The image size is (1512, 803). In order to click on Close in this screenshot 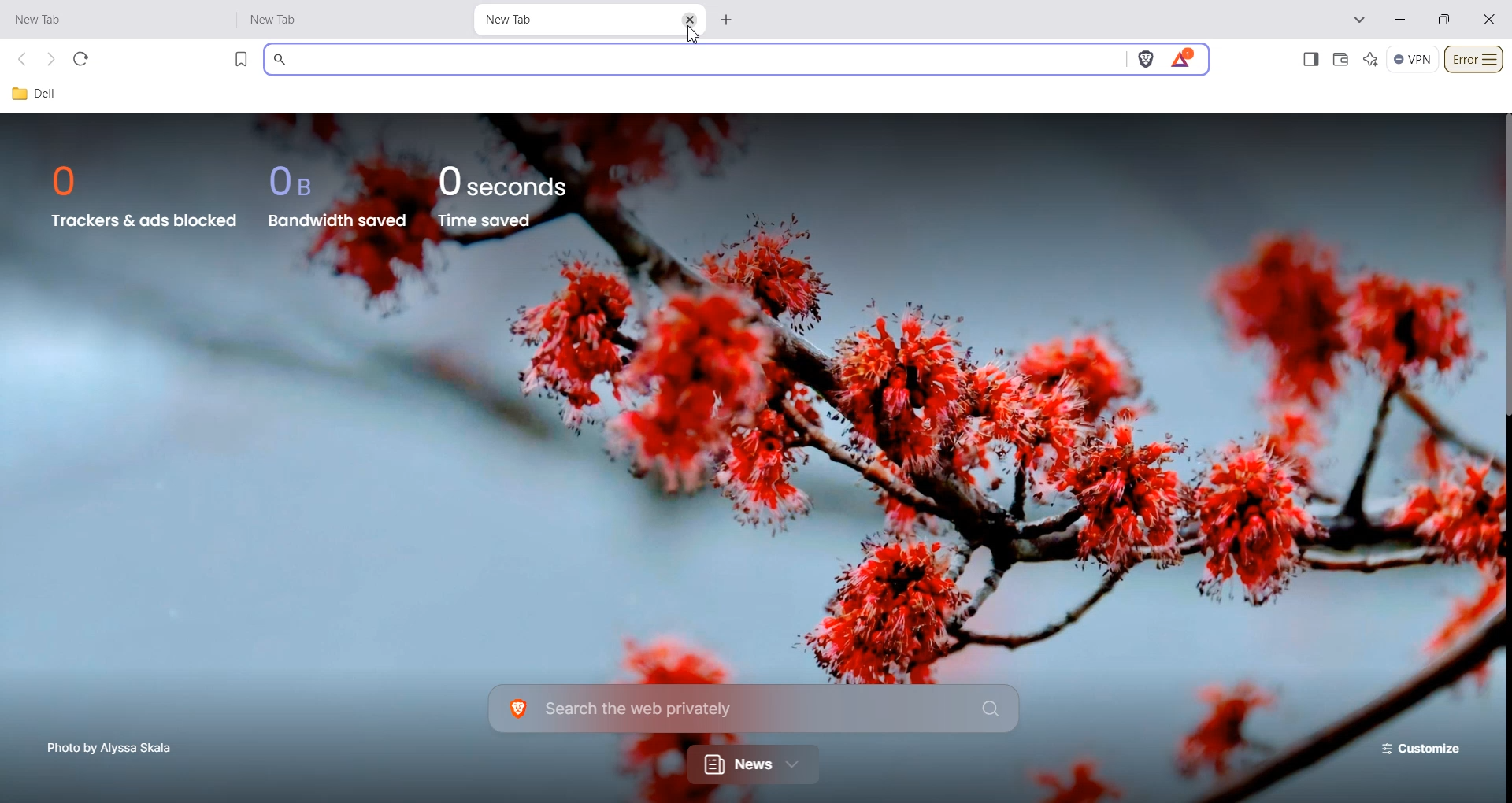, I will do `click(1490, 19)`.